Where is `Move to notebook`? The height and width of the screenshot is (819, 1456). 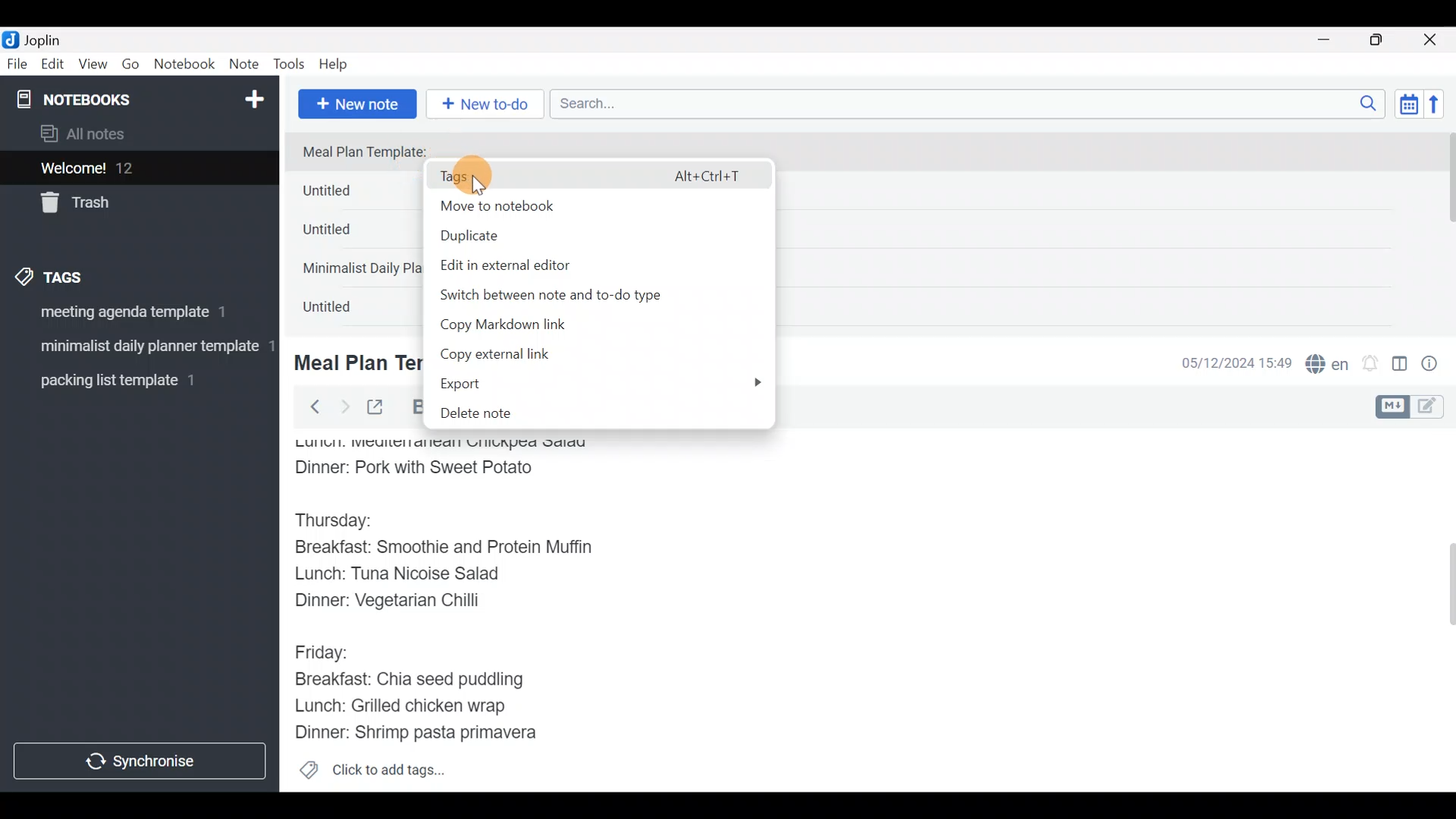
Move to notebook is located at coordinates (584, 205).